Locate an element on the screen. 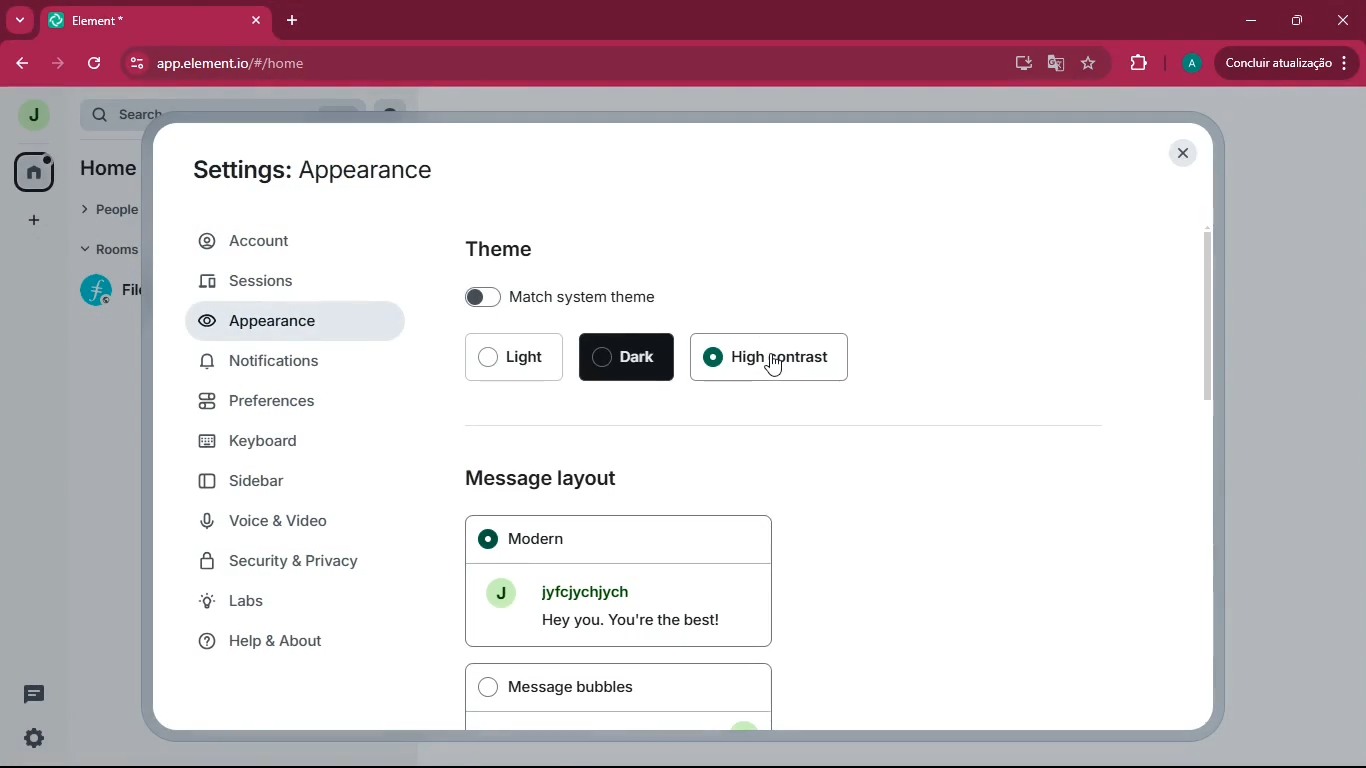  Element* is located at coordinates (139, 19).